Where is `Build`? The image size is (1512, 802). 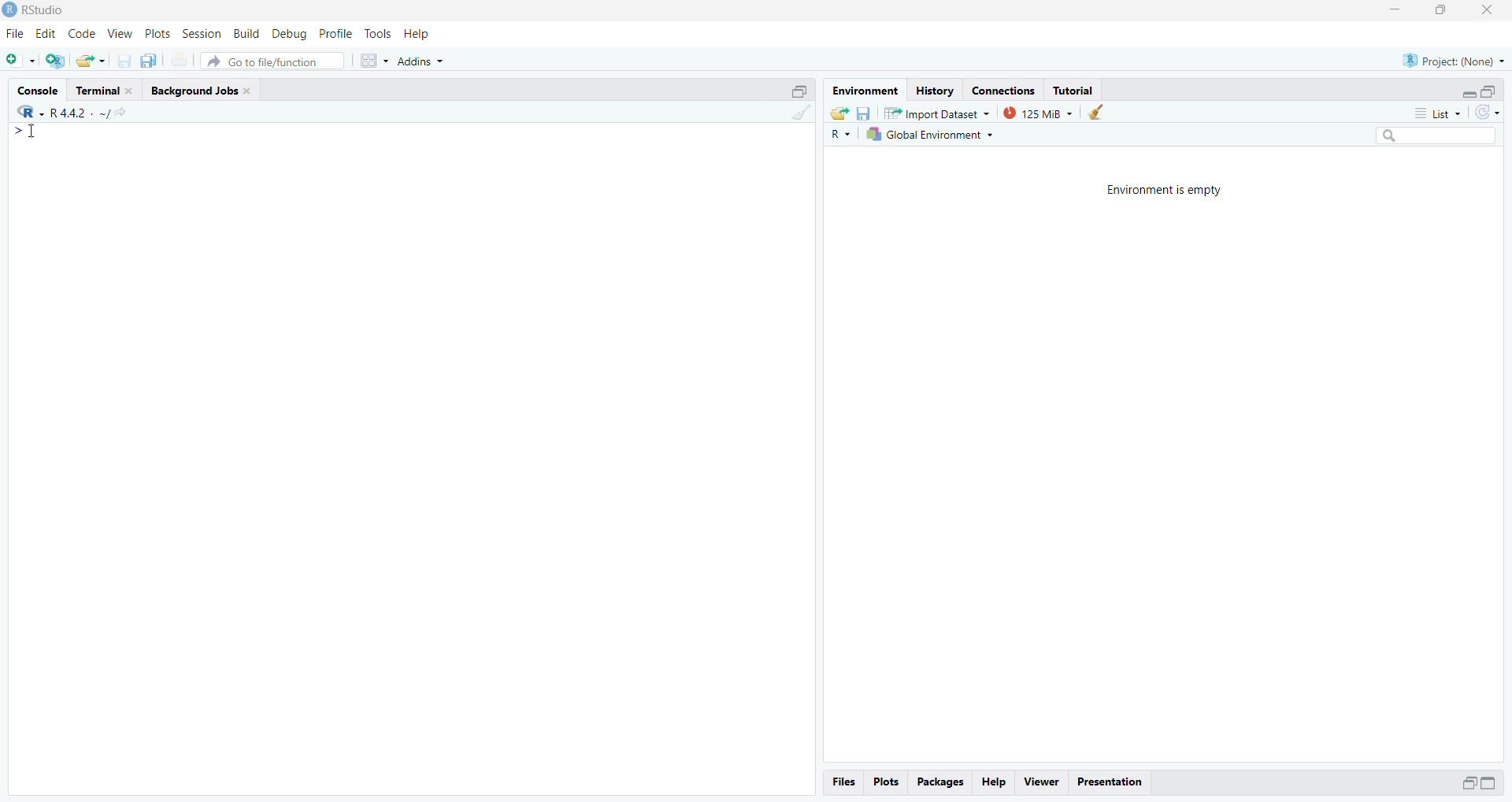 Build is located at coordinates (246, 33).